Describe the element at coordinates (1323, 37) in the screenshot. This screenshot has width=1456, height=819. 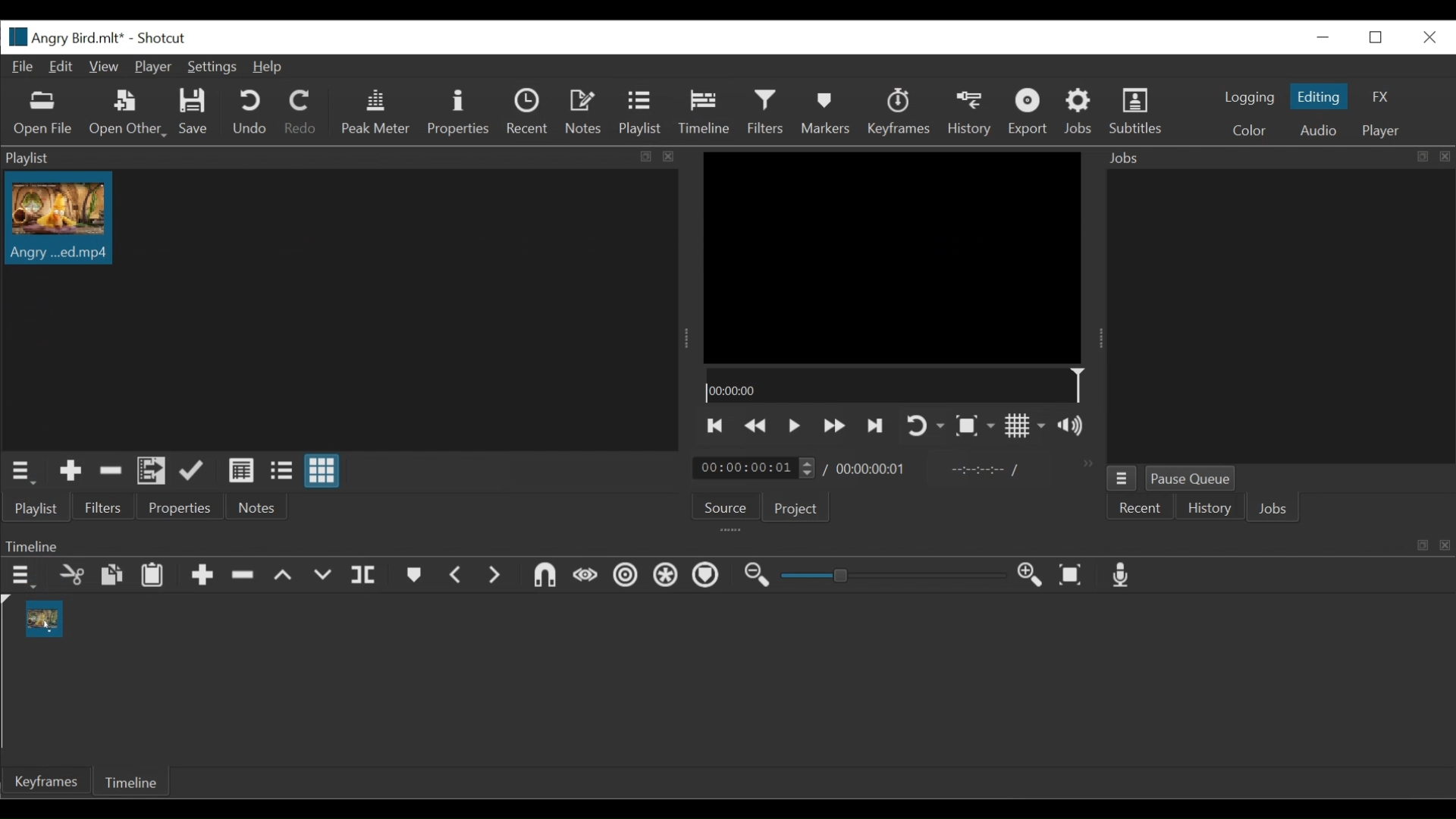
I see `minimize` at that location.